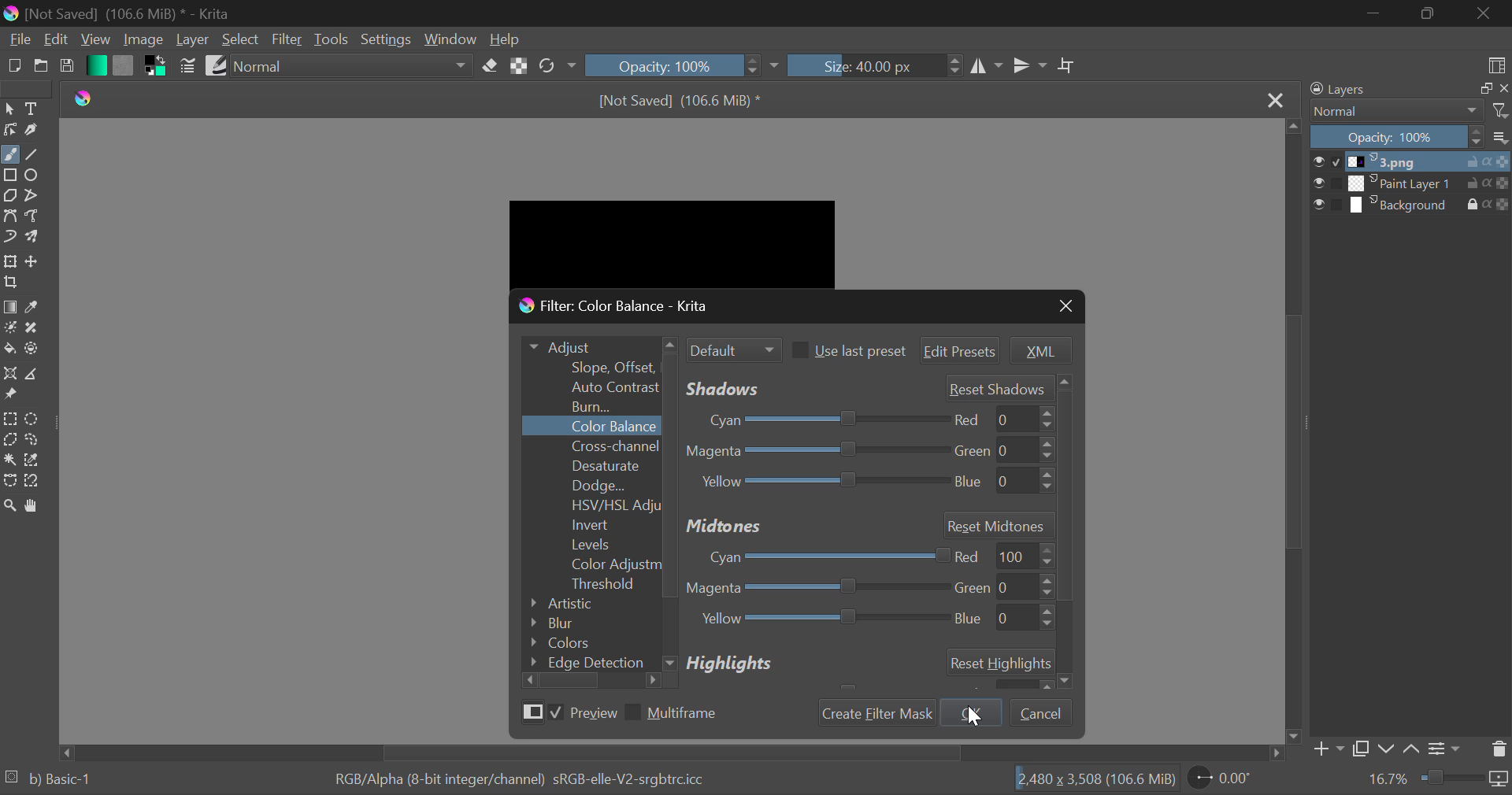 This screenshot has height=795, width=1512. What do you see at coordinates (628, 308) in the screenshot?
I see `Window Title` at bounding box center [628, 308].